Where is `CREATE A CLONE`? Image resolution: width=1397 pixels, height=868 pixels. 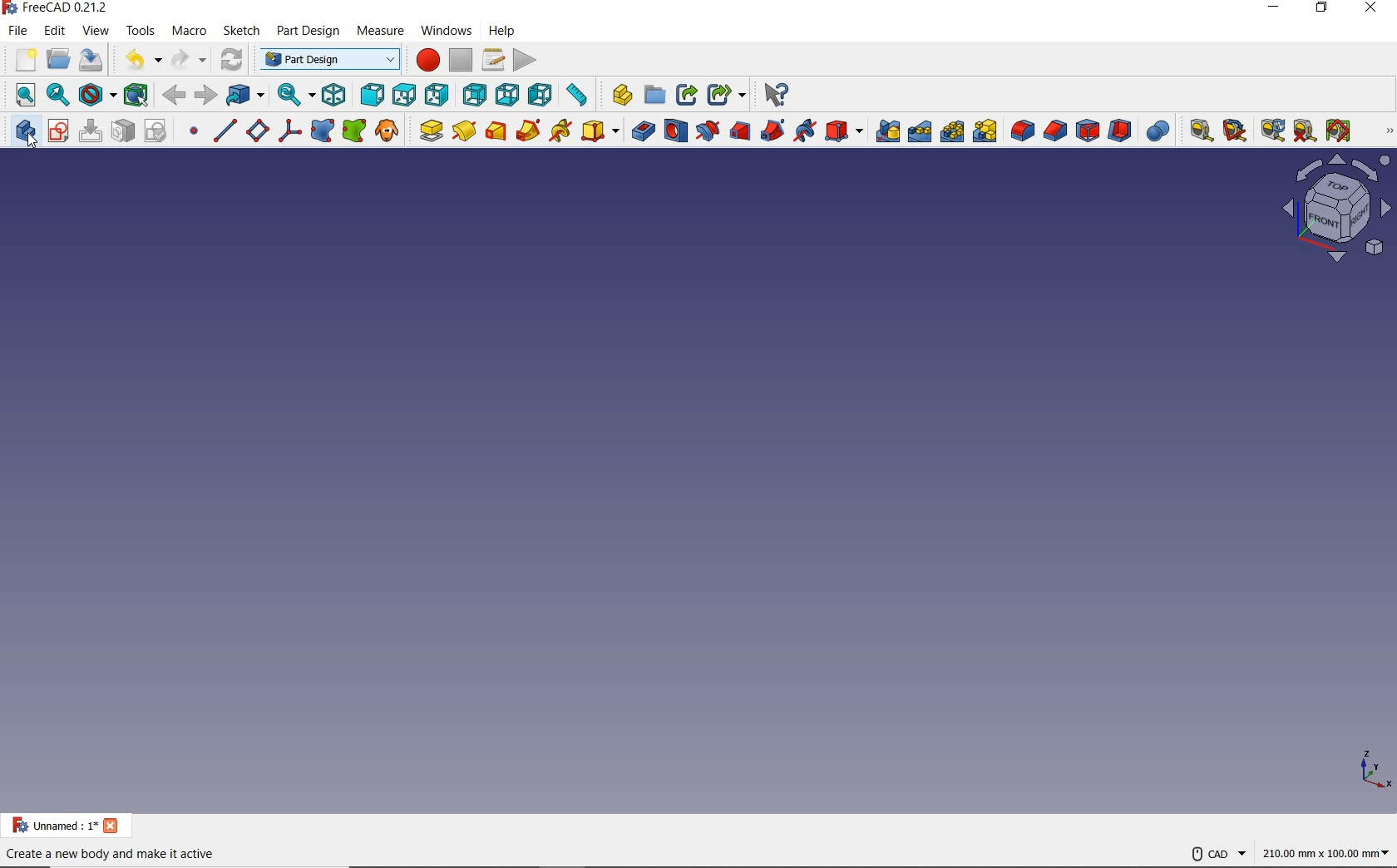 CREATE A CLONE is located at coordinates (387, 130).